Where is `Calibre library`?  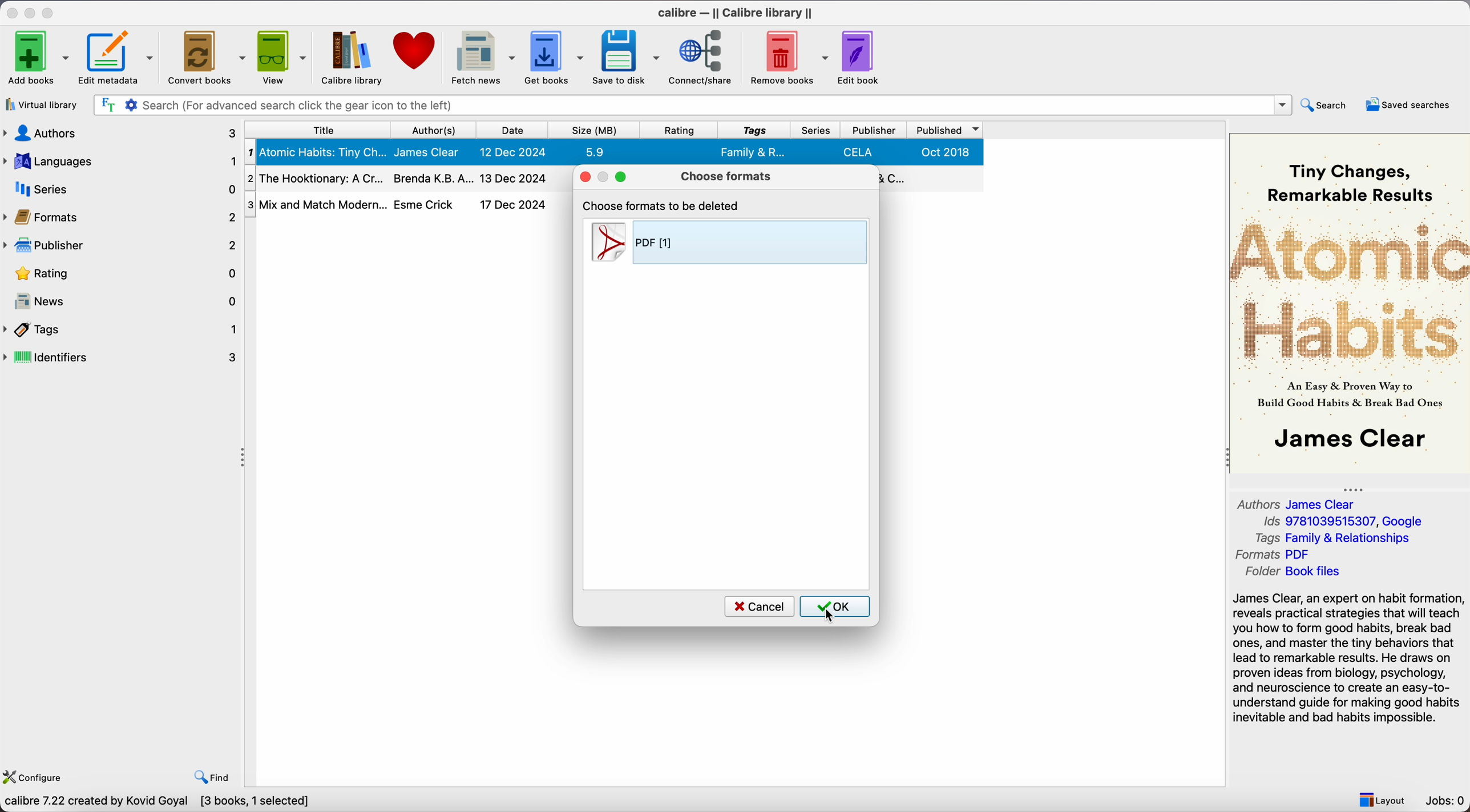
Calibre library is located at coordinates (350, 56).